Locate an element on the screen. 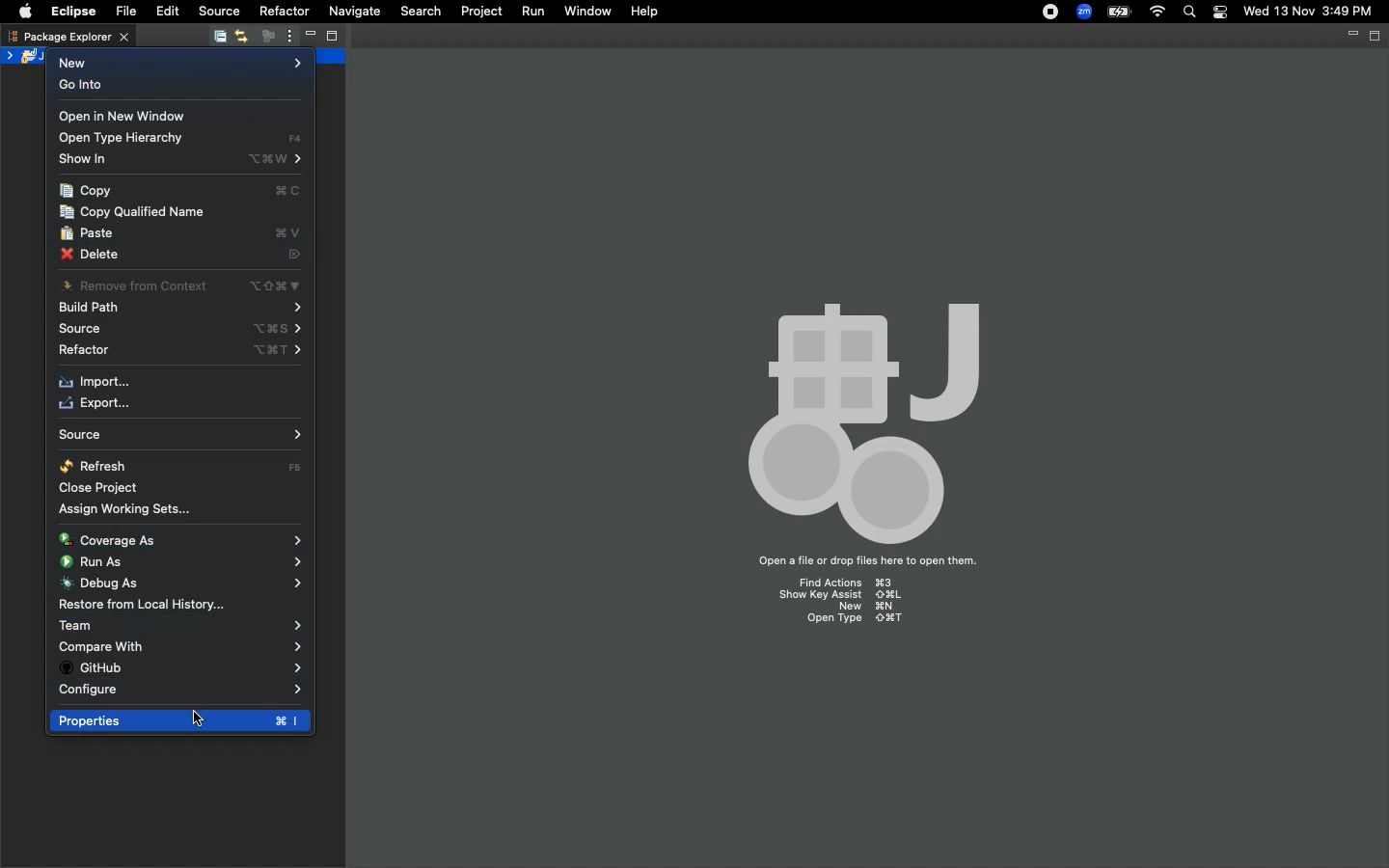  Window is located at coordinates (586, 12).